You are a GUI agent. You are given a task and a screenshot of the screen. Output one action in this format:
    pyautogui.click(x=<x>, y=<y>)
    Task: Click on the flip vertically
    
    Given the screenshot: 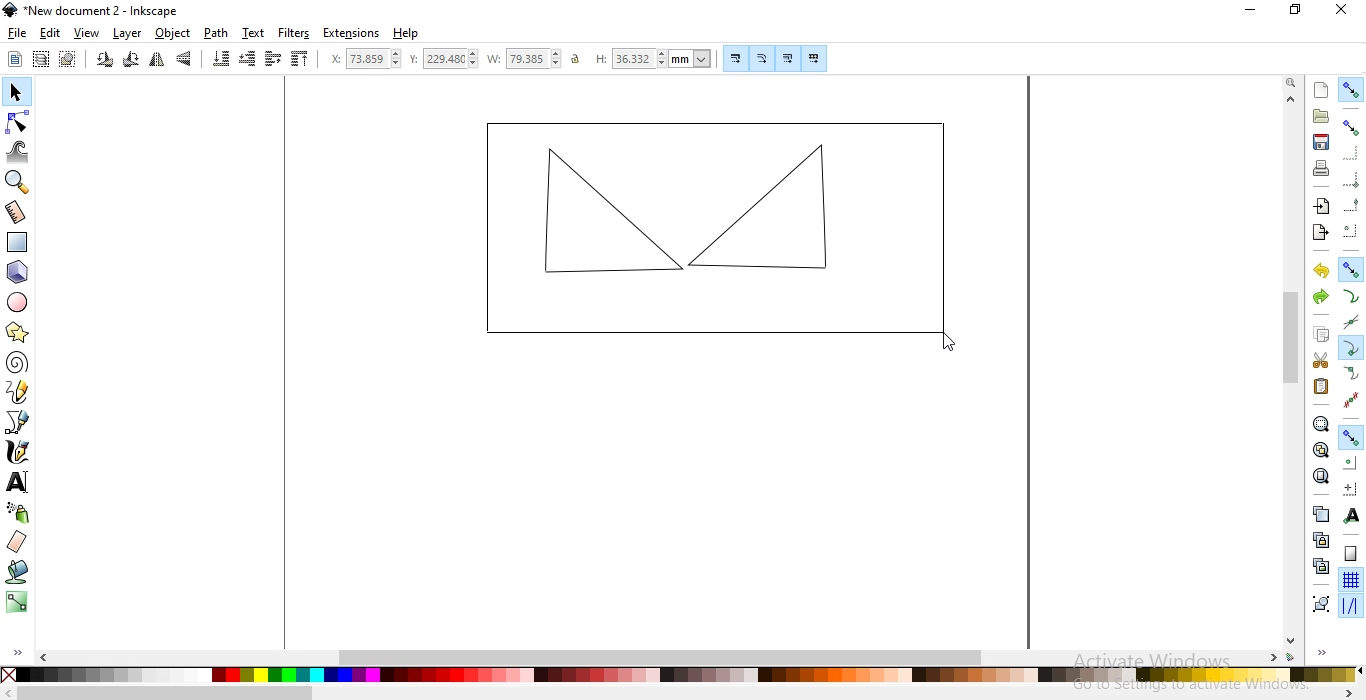 What is the action you would take?
    pyautogui.click(x=184, y=60)
    